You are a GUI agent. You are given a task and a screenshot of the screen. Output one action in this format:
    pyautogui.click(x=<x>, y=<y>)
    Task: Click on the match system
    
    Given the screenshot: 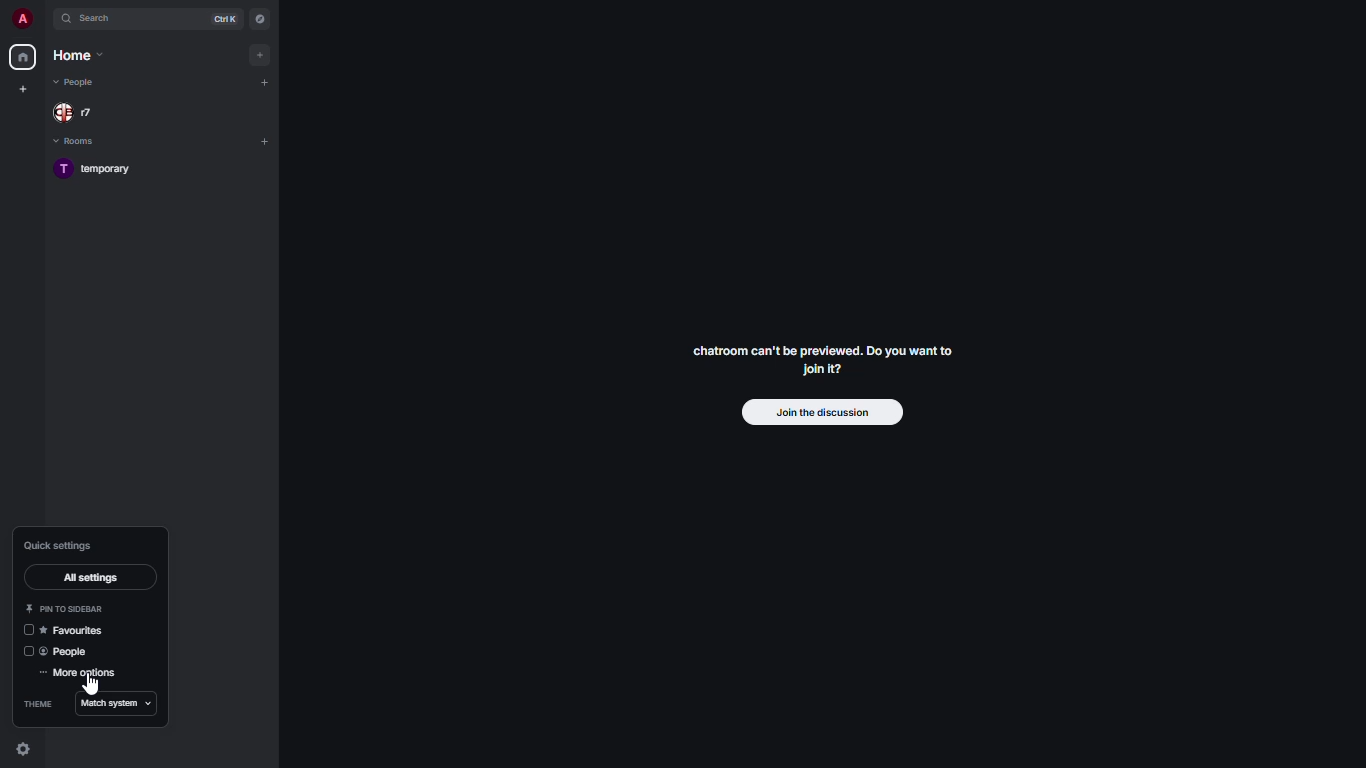 What is the action you would take?
    pyautogui.click(x=120, y=704)
    